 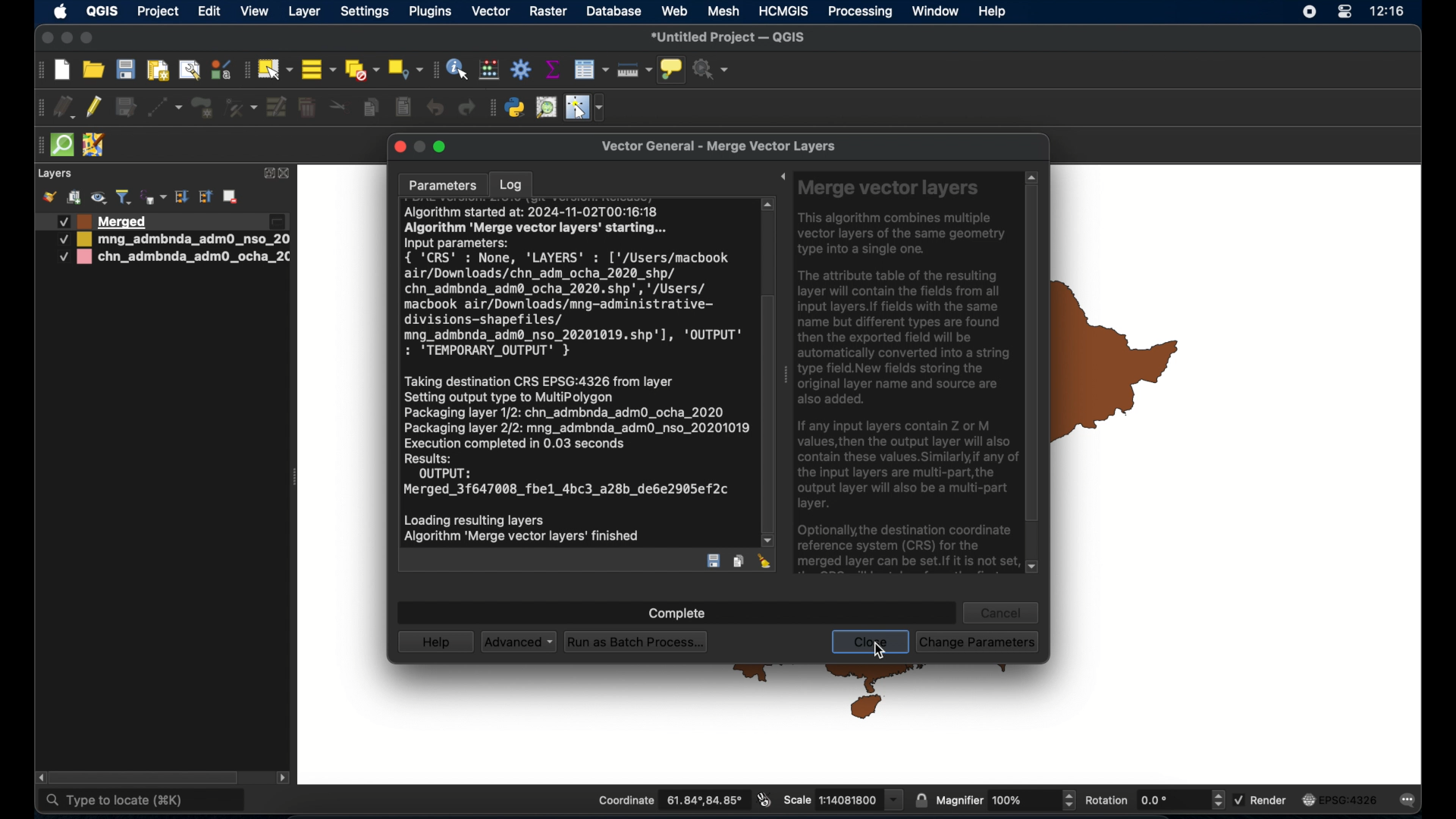 I want to click on digitize with segment, so click(x=164, y=106).